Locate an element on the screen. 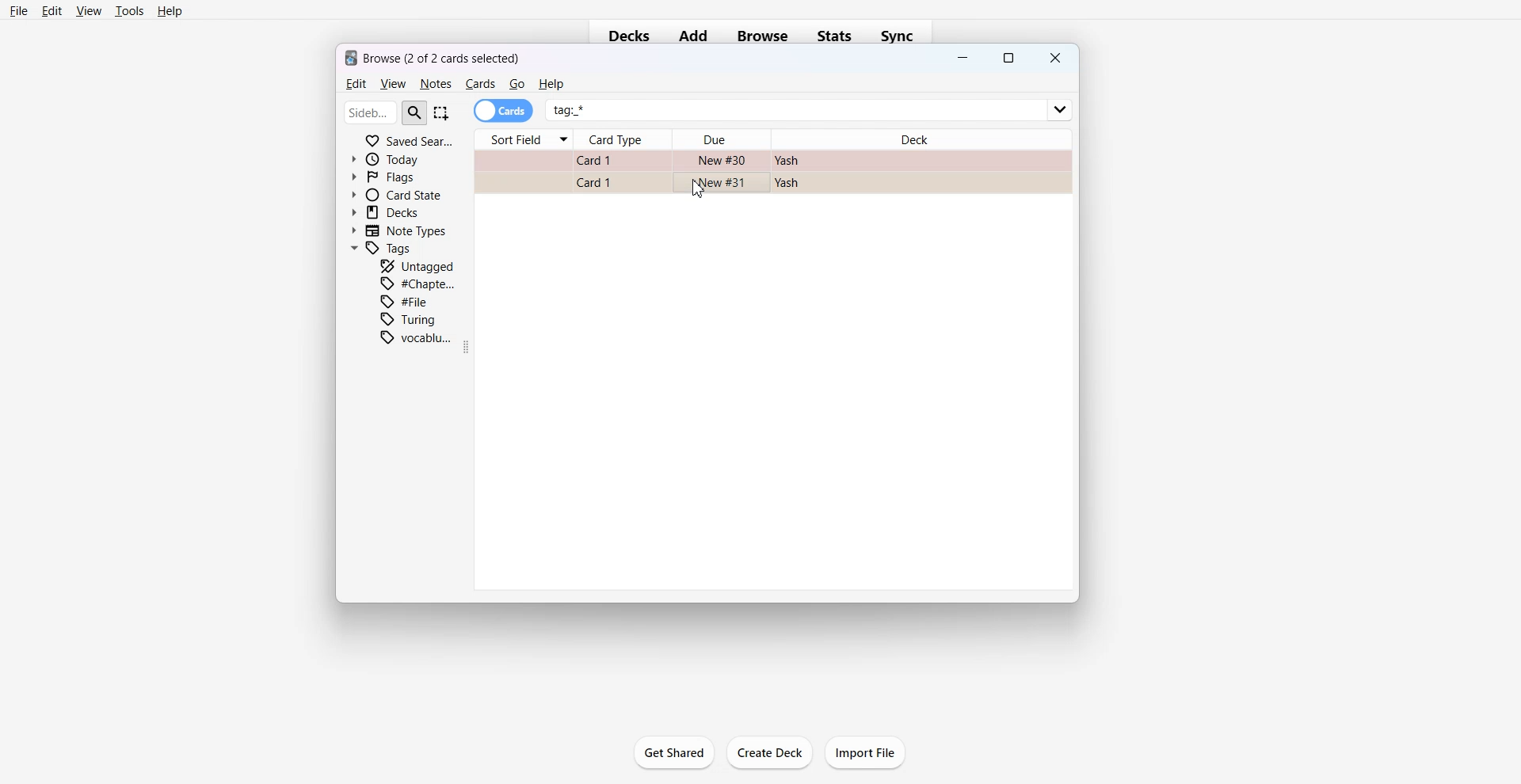  Tools is located at coordinates (129, 11).